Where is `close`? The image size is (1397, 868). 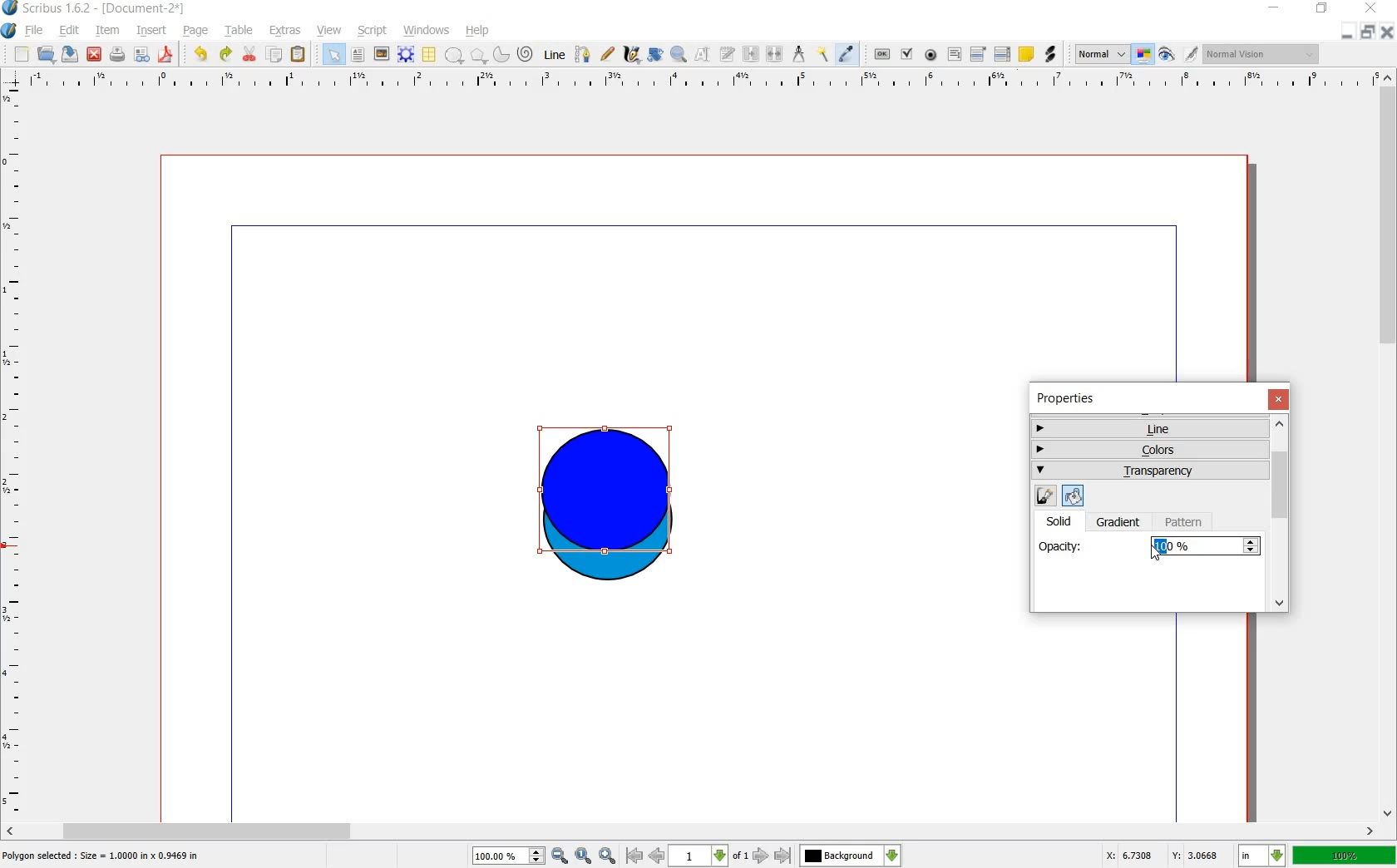 close is located at coordinates (1281, 399).